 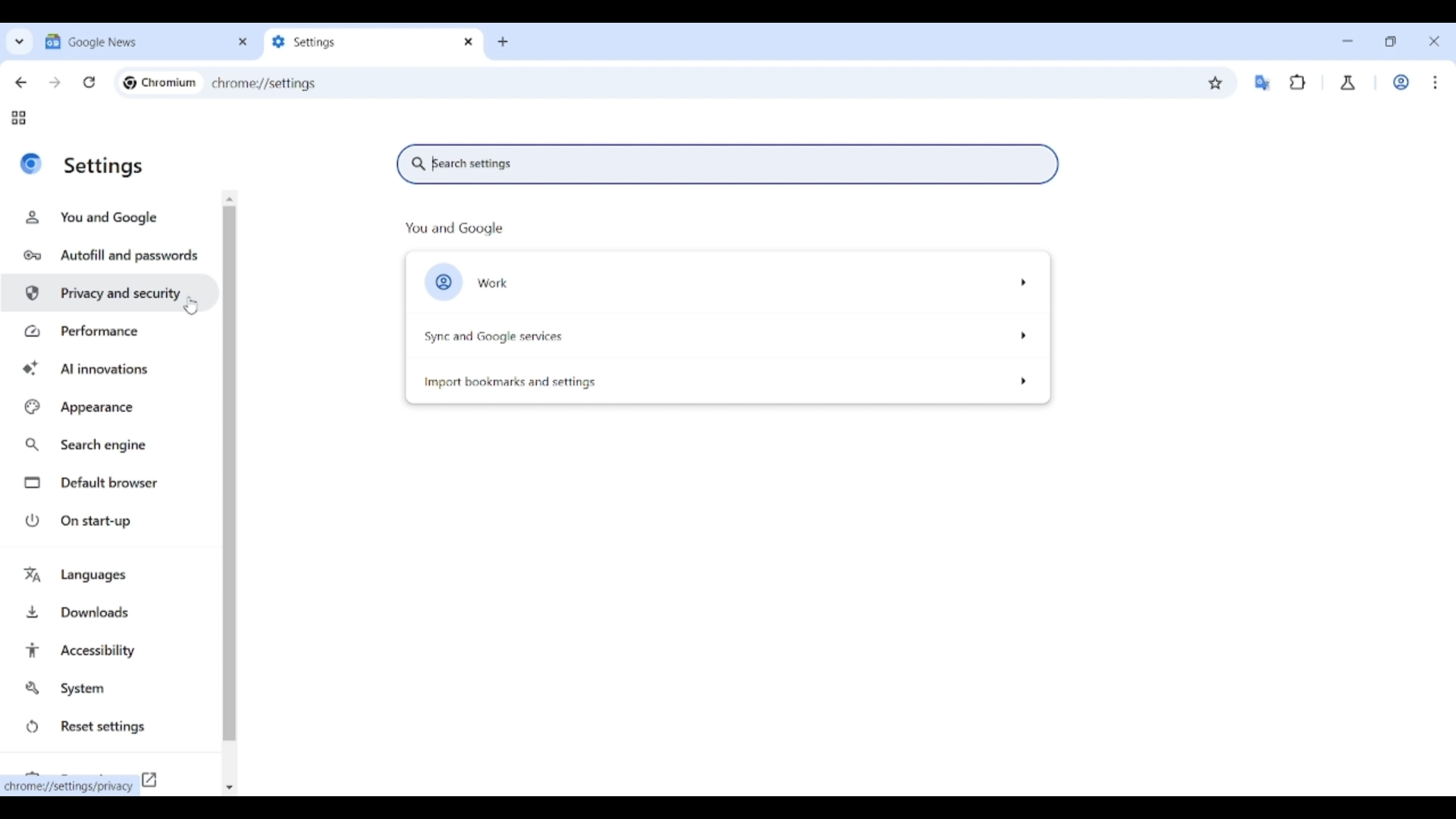 What do you see at coordinates (727, 284) in the screenshot?
I see `Work options` at bounding box center [727, 284].